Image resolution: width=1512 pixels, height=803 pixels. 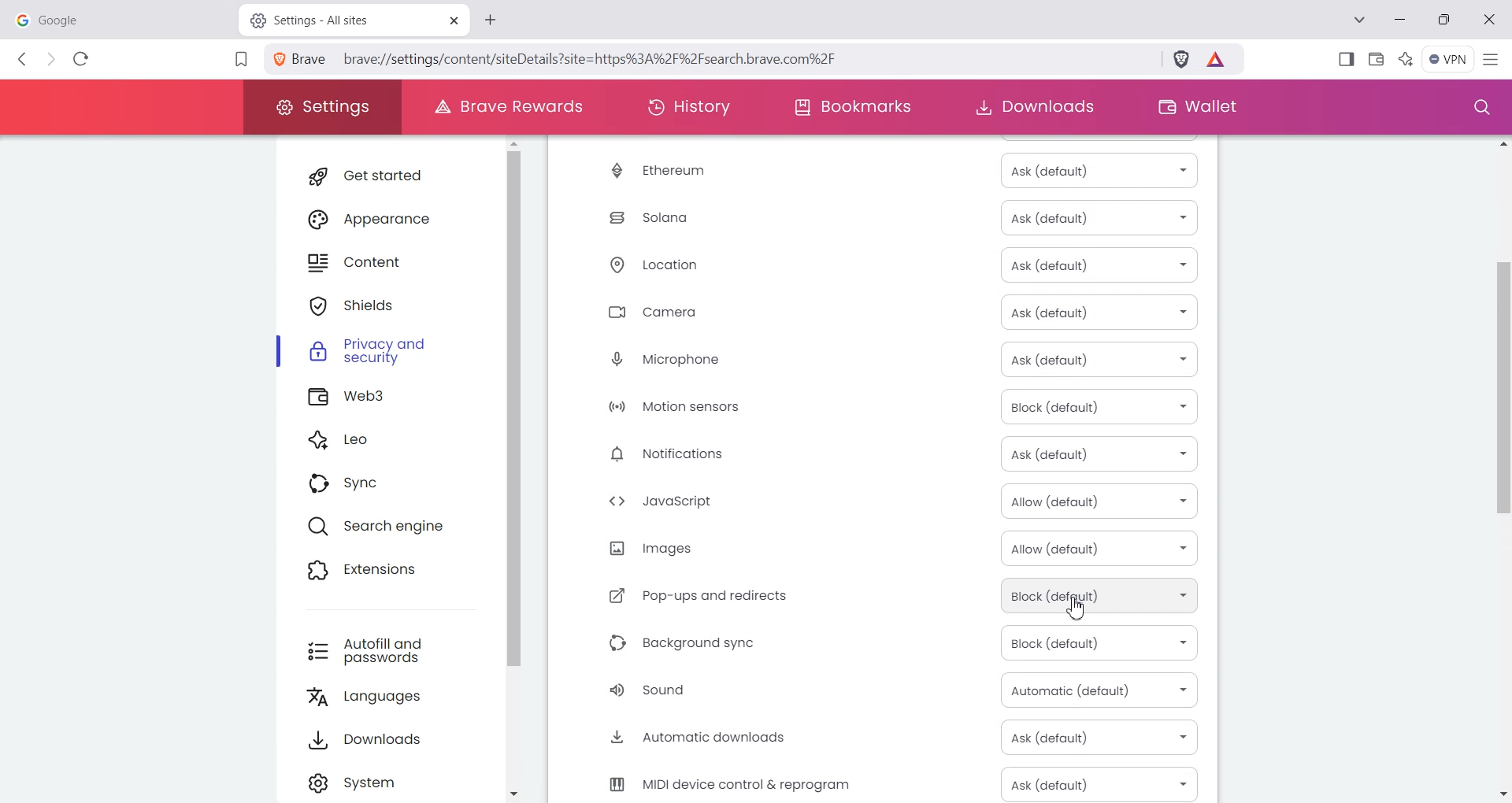 What do you see at coordinates (81, 58) in the screenshot?
I see `Reload` at bounding box center [81, 58].